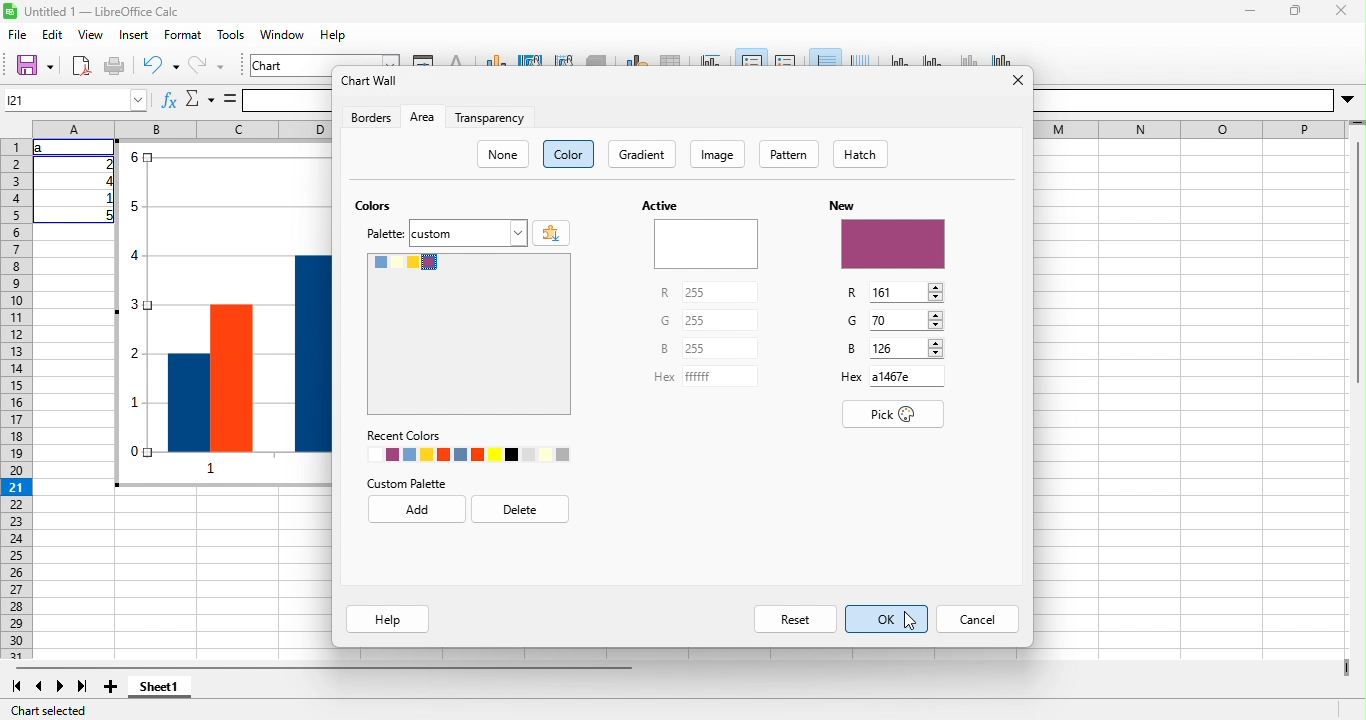  I want to click on Input R value, so click(898, 292).